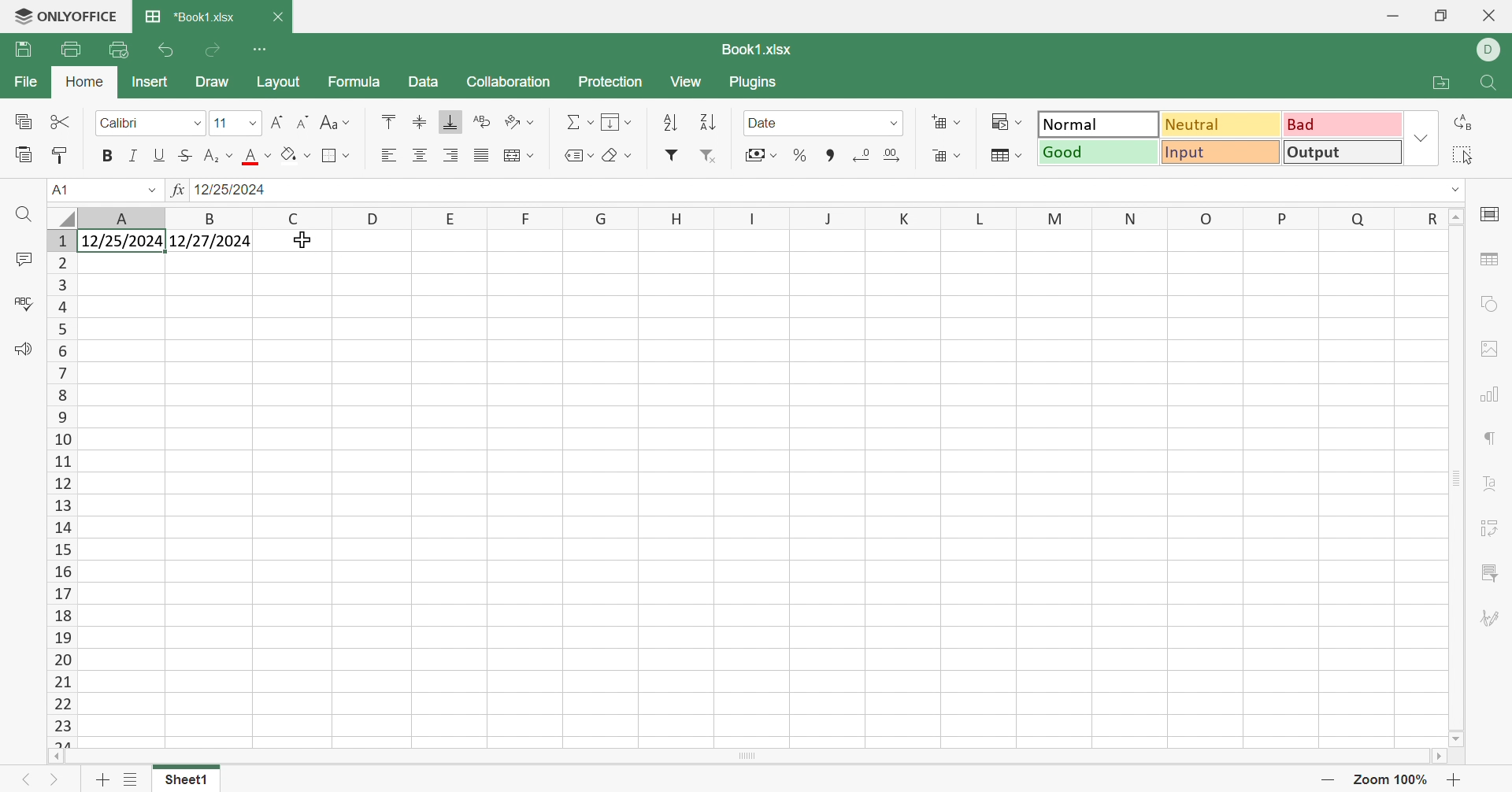 Image resolution: width=1512 pixels, height=792 pixels. What do you see at coordinates (25, 157) in the screenshot?
I see `Paste` at bounding box center [25, 157].